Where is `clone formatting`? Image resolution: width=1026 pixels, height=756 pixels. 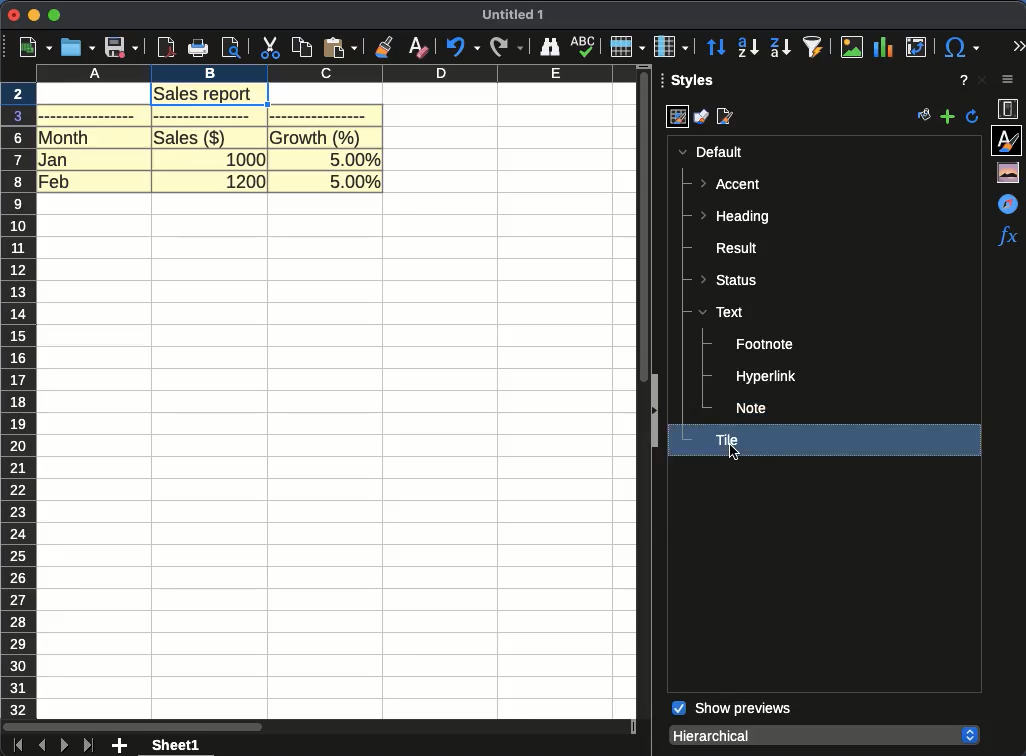
clone formatting is located at coordinates (383, 47).